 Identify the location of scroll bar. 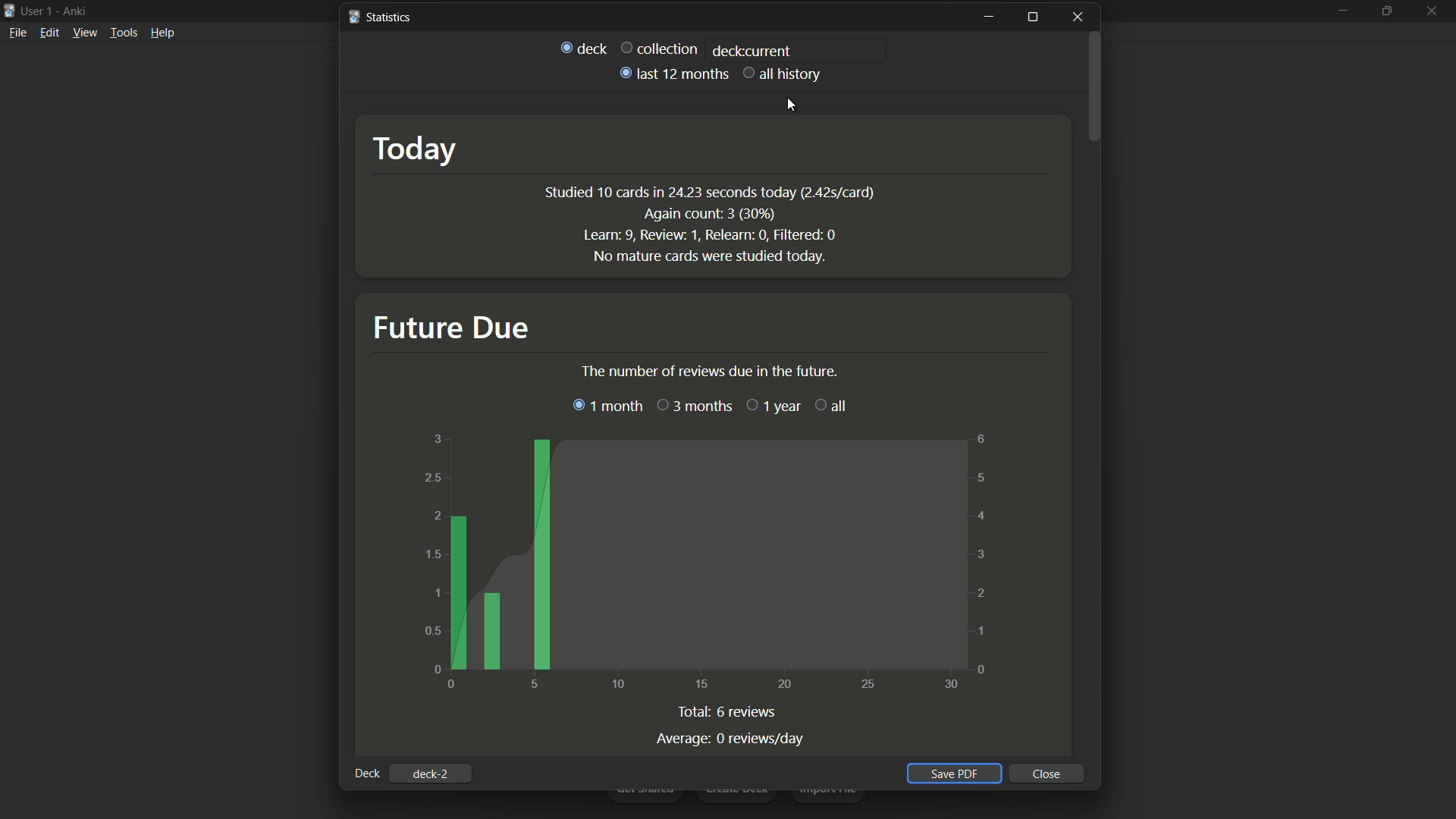
(1098, 116).